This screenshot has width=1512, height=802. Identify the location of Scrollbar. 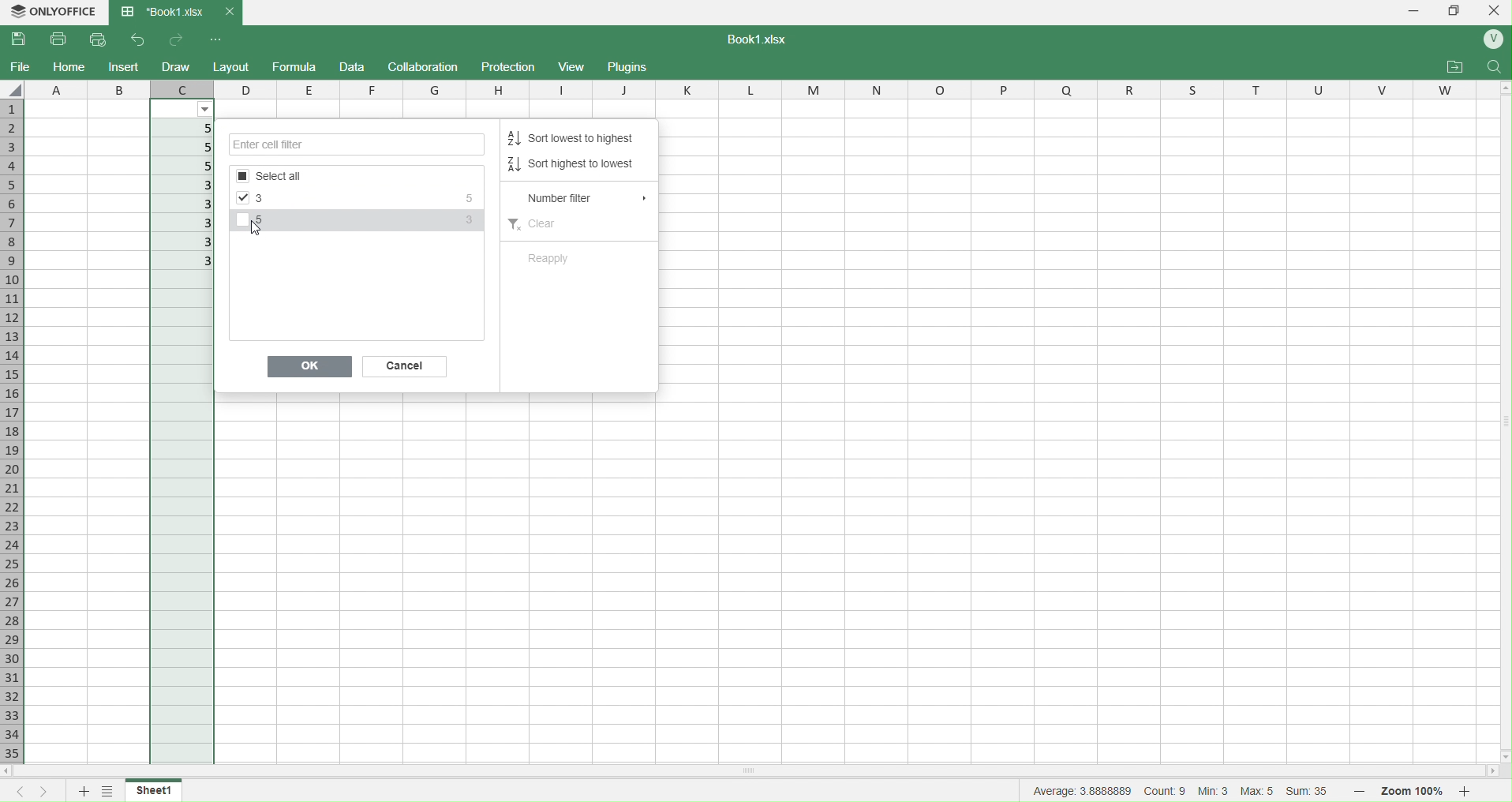
(1503, 417).